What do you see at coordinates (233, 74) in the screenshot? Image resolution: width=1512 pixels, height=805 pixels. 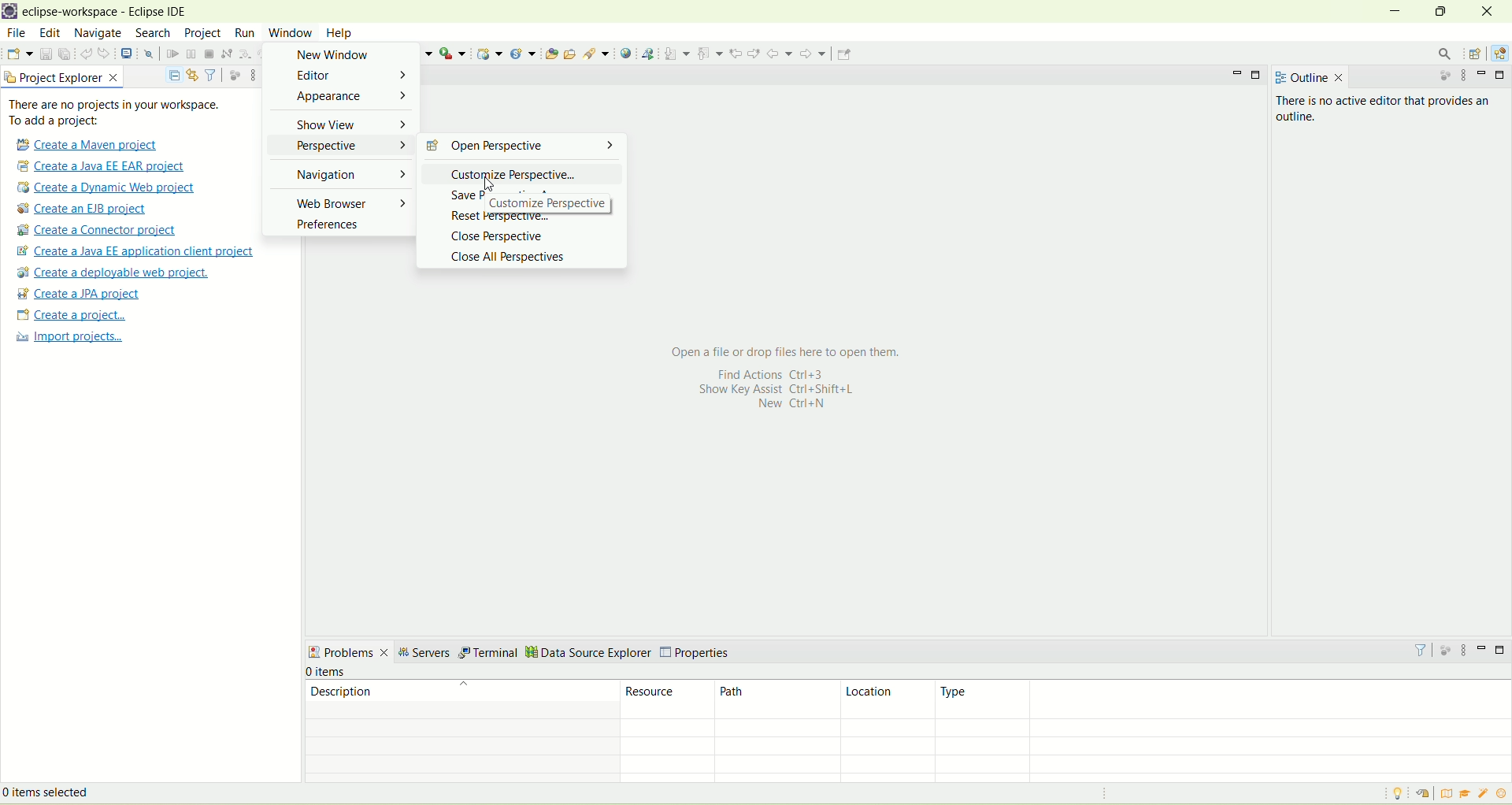 I see `focus on active task` at bounding box center [233, 74].